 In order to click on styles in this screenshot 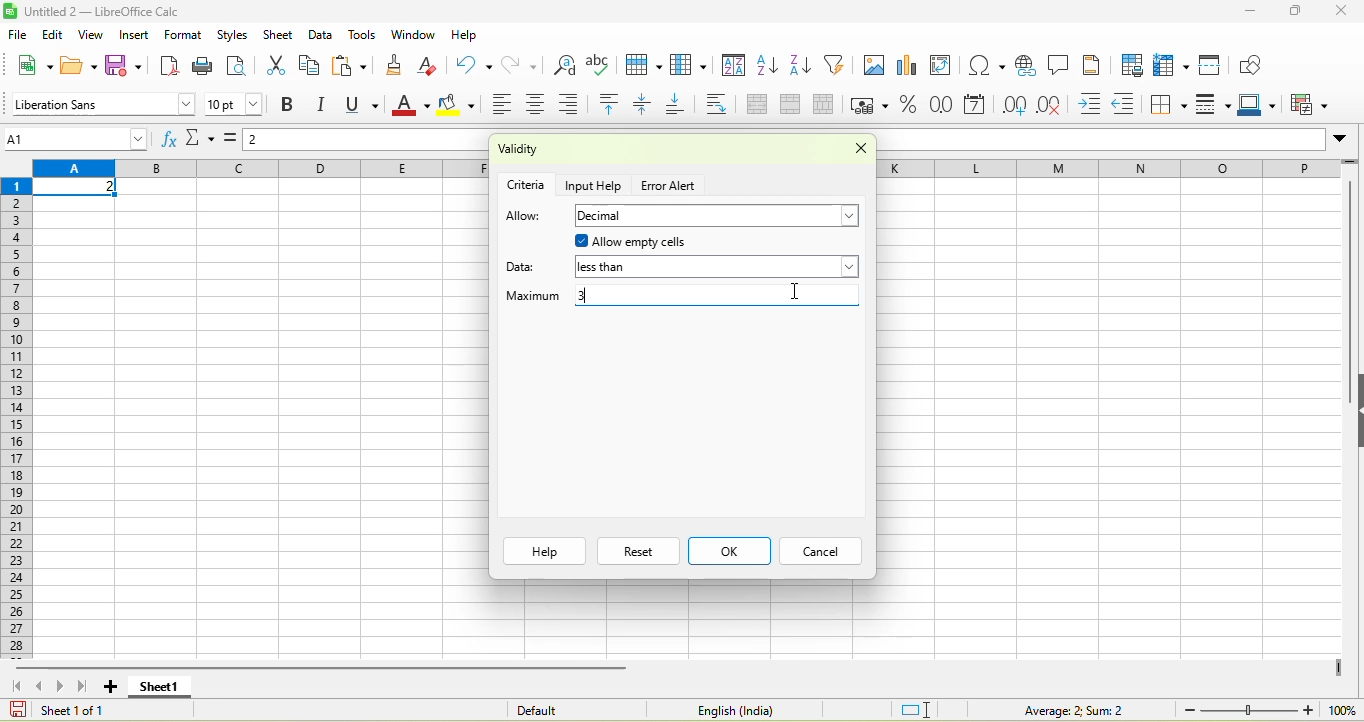, I will do `click(231, 33)`.